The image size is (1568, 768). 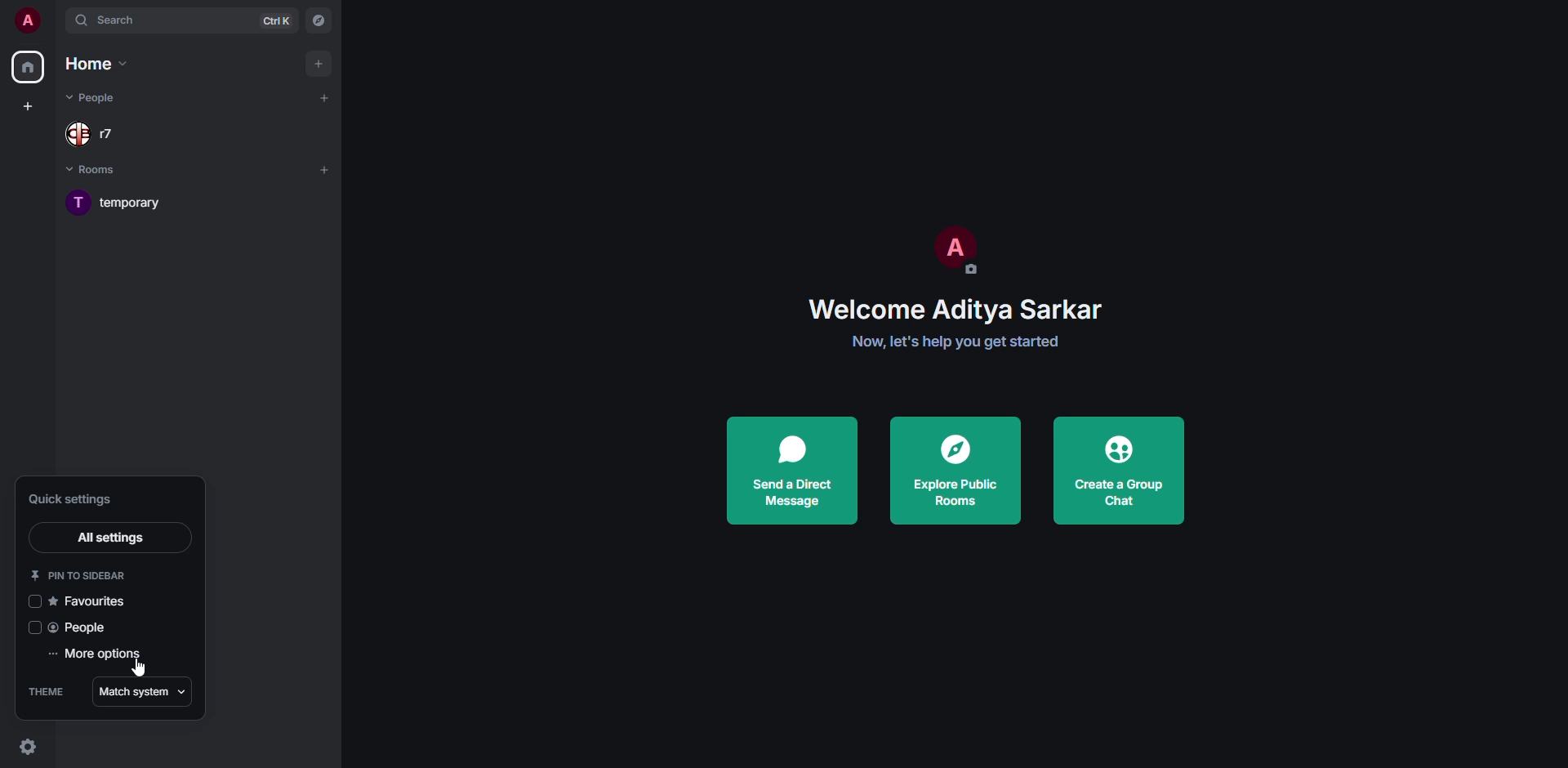 What do you see at coordinates (319, 20) in the screenshot?
I see `navigator` at bounding box center [319, 20].